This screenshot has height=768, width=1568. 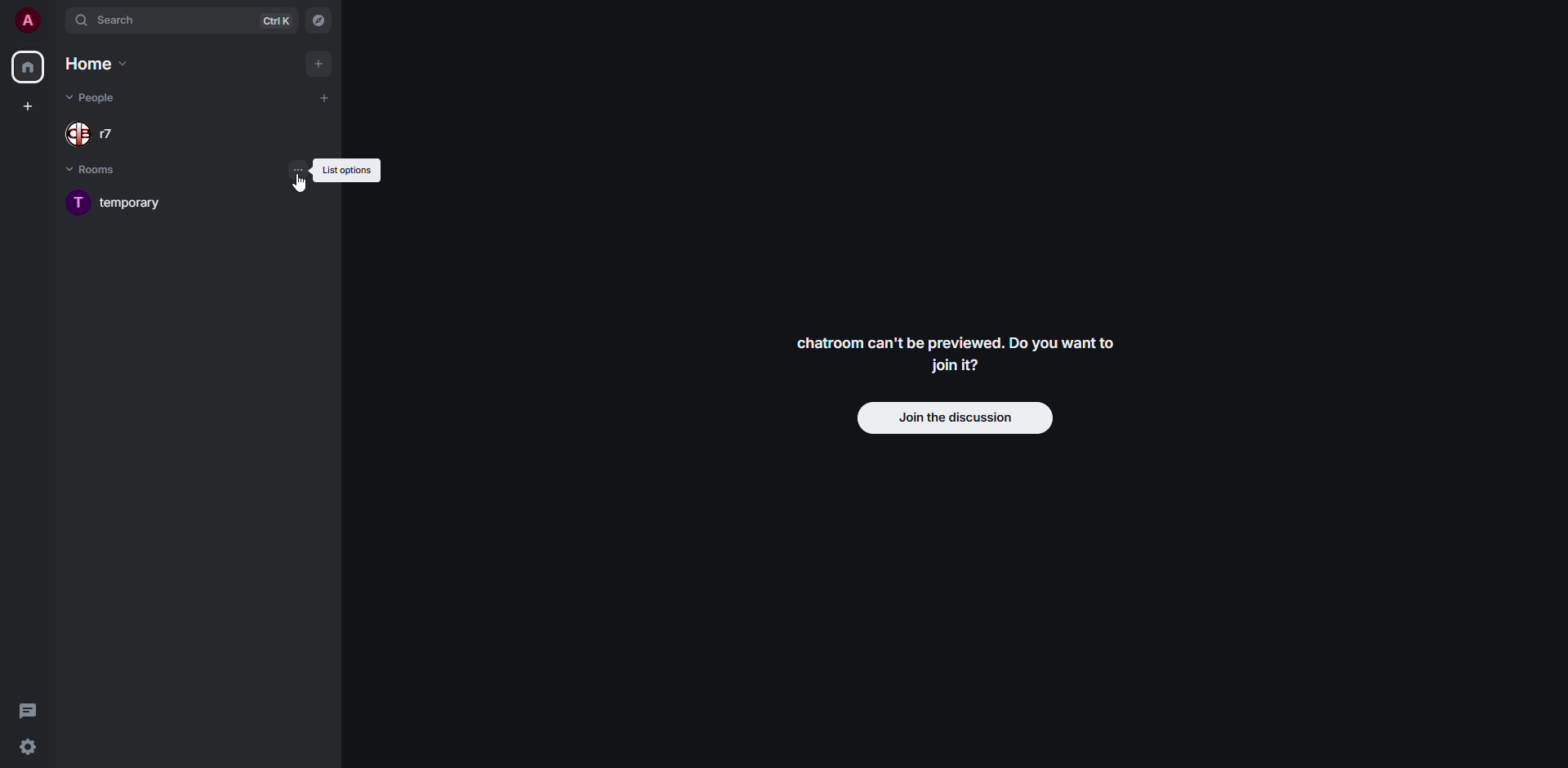 I want to click on quick settings, so click(x=28, y=748).